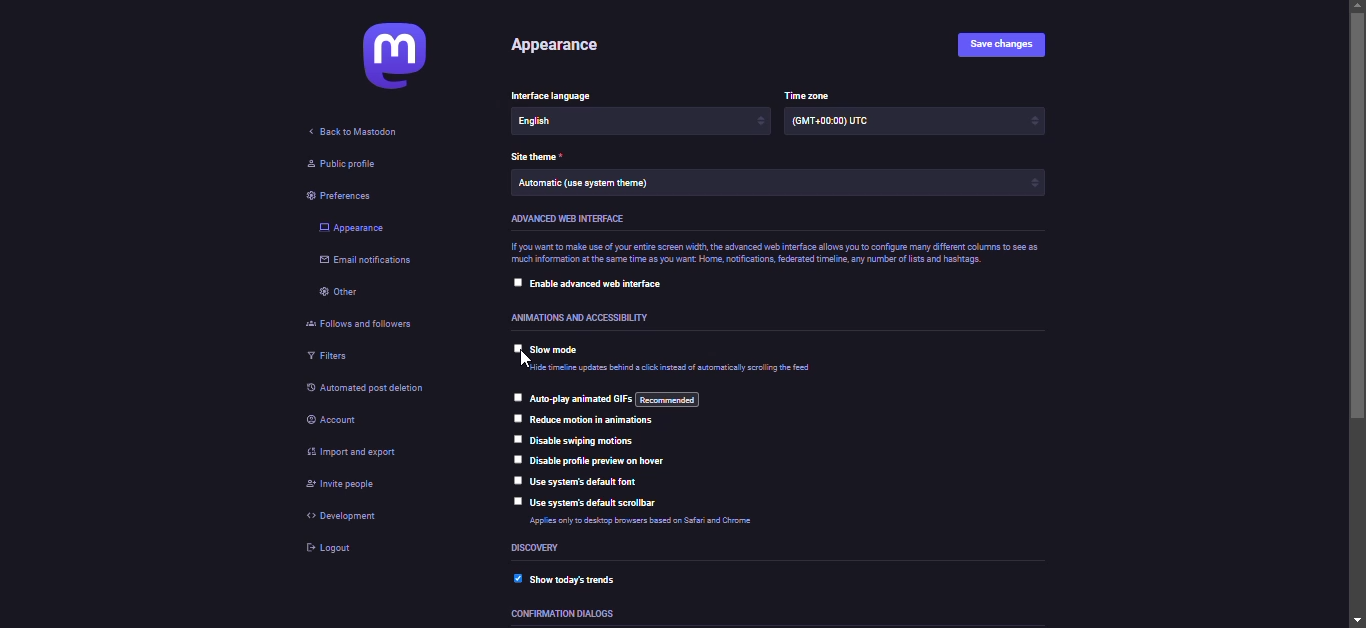 The image size is (1366, 628). I want to click on click to select, so click(514, 502).